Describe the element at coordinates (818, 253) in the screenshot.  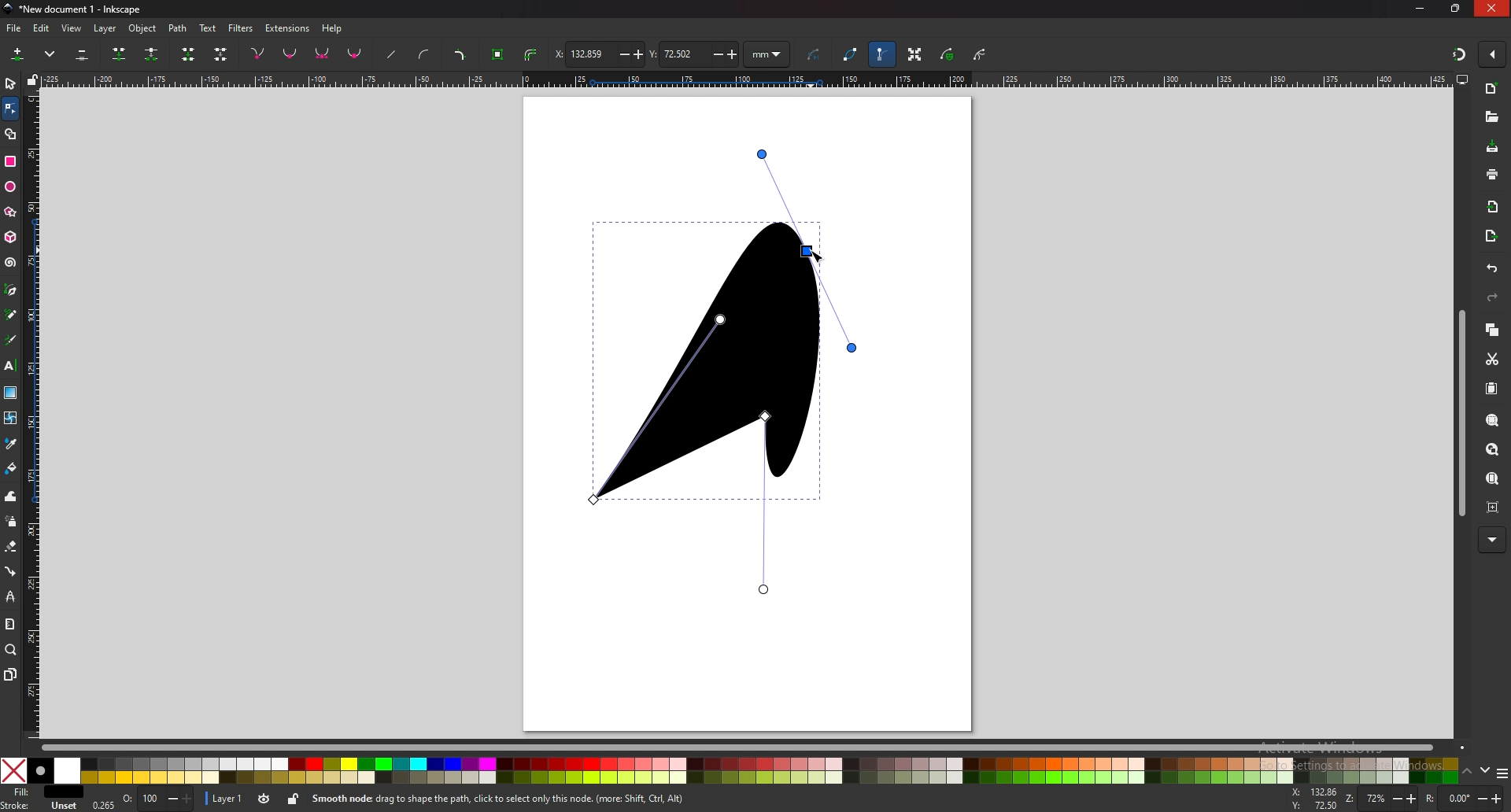
I see `cursor` at that location.